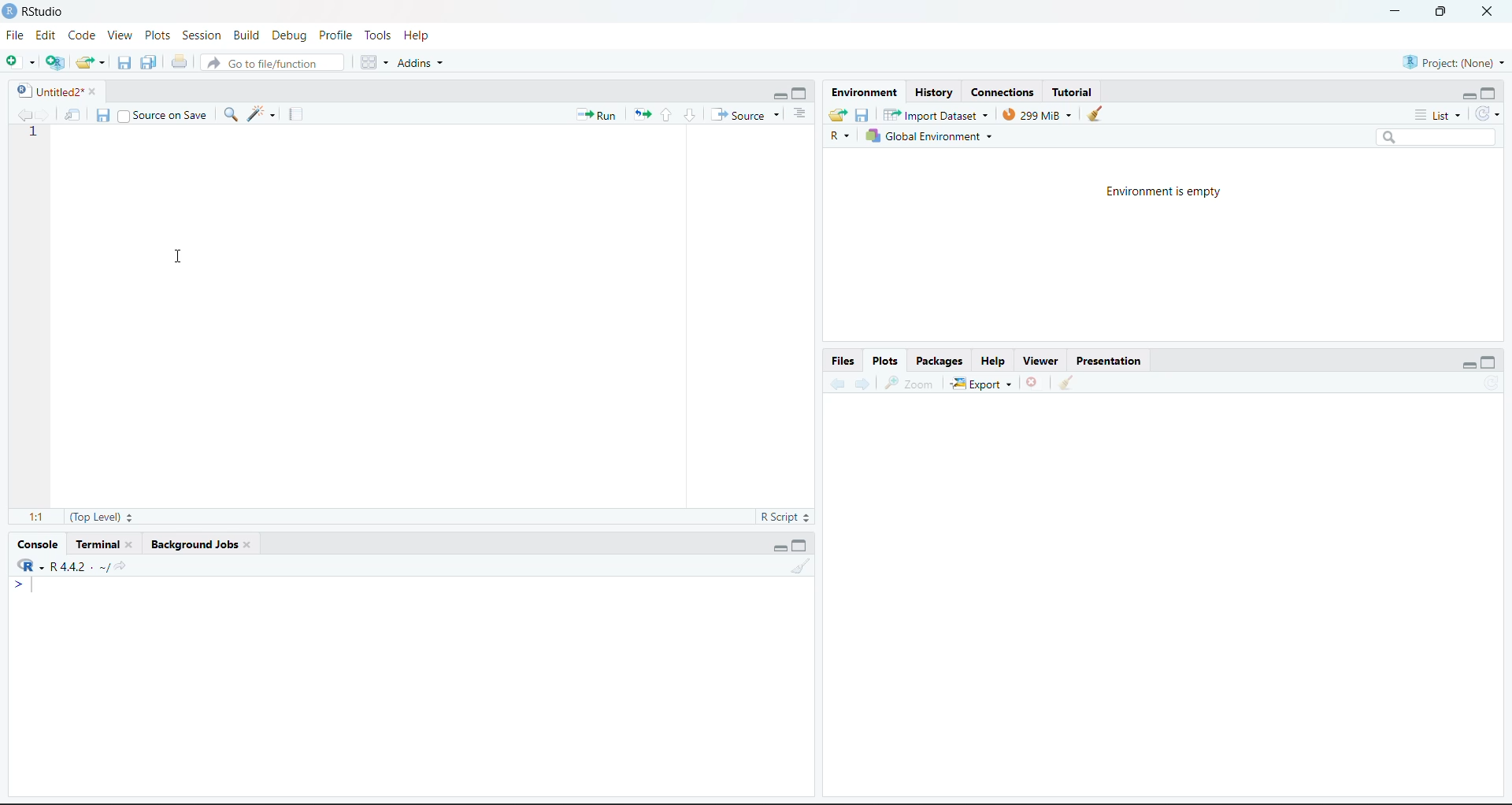 The height and width of the screenshot is (805, 1512). Describe the element at coordinates (105, 115) in the screenshot. I see `save current document` at that location.